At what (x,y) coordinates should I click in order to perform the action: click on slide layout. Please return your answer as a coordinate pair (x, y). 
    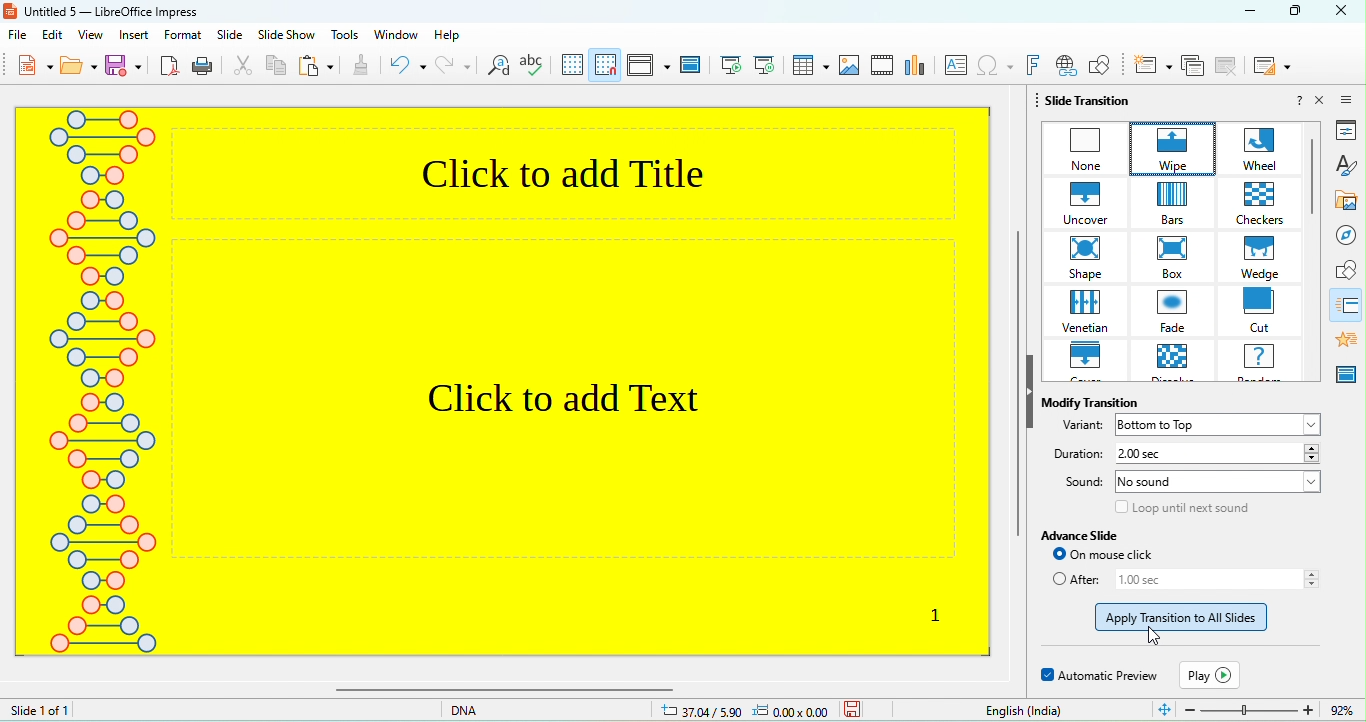
    Looking at the image, I should click on (1269, 65).